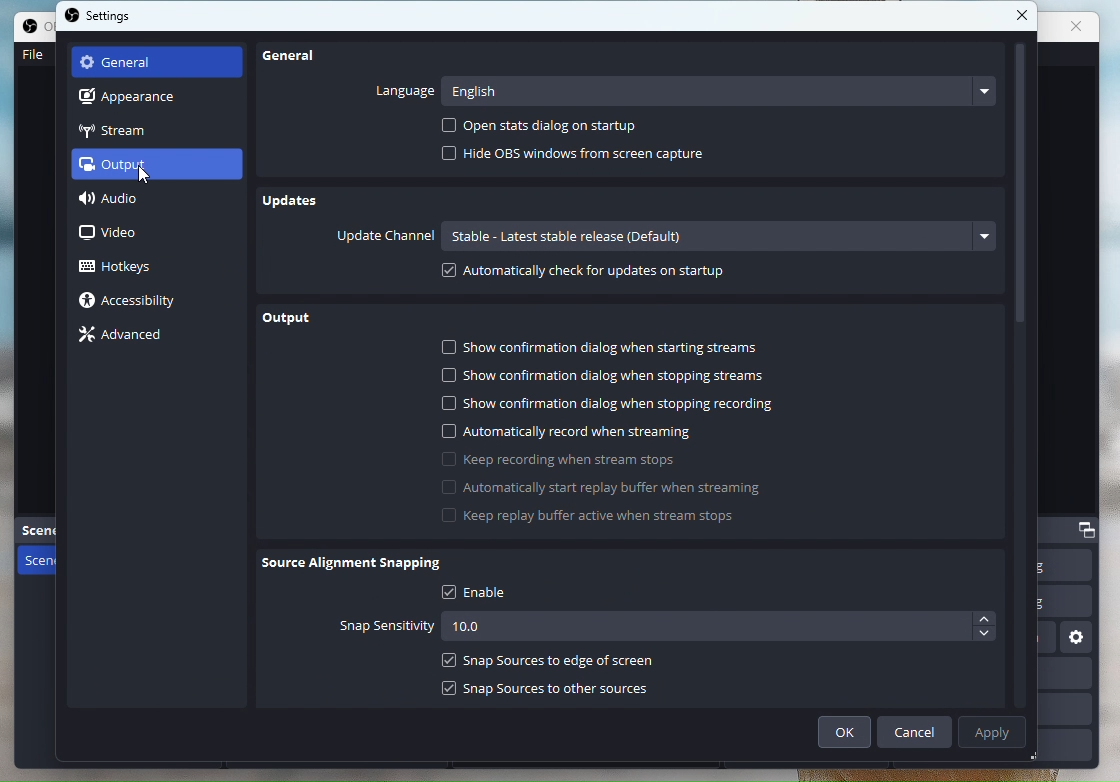 The image size is (1120, 782). I want to click on Apperance, so click(139, 94).